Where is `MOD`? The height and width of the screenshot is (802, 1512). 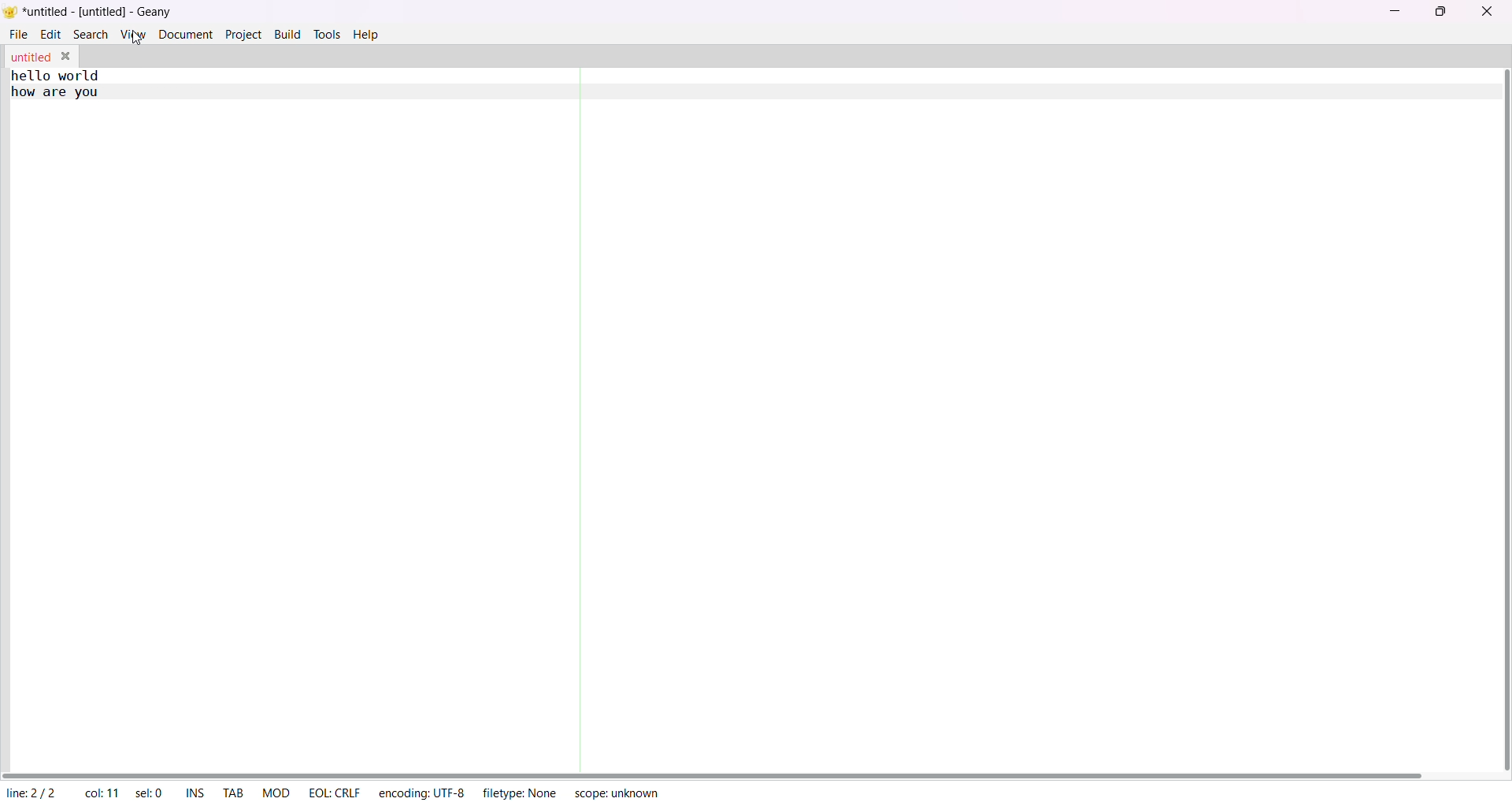
MOD is located at coordinates (273, 790).